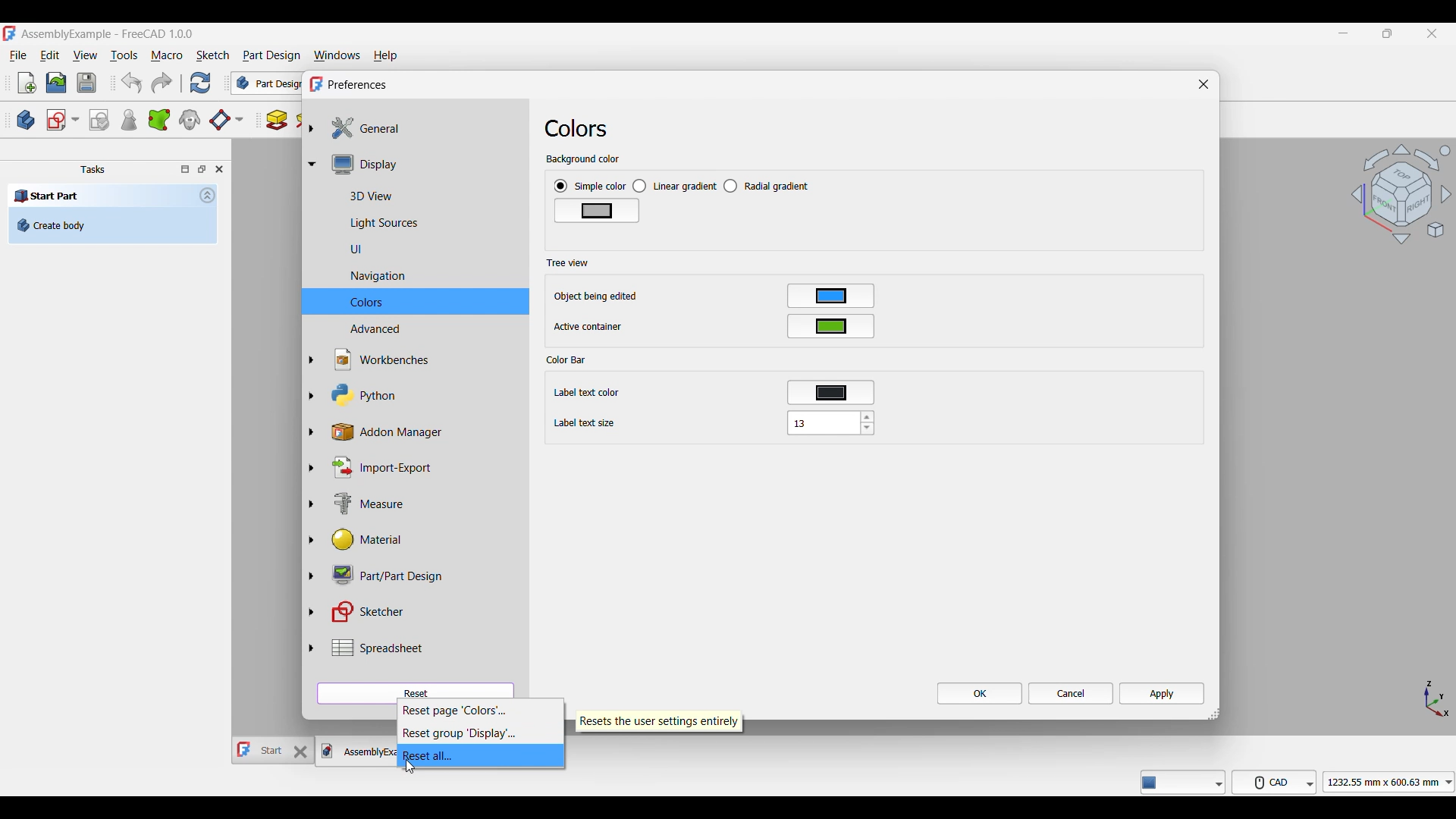  What do you see at coordinates (359, 85) in the screenshot?
I see `Preferences` at bounding box center [359, 85].